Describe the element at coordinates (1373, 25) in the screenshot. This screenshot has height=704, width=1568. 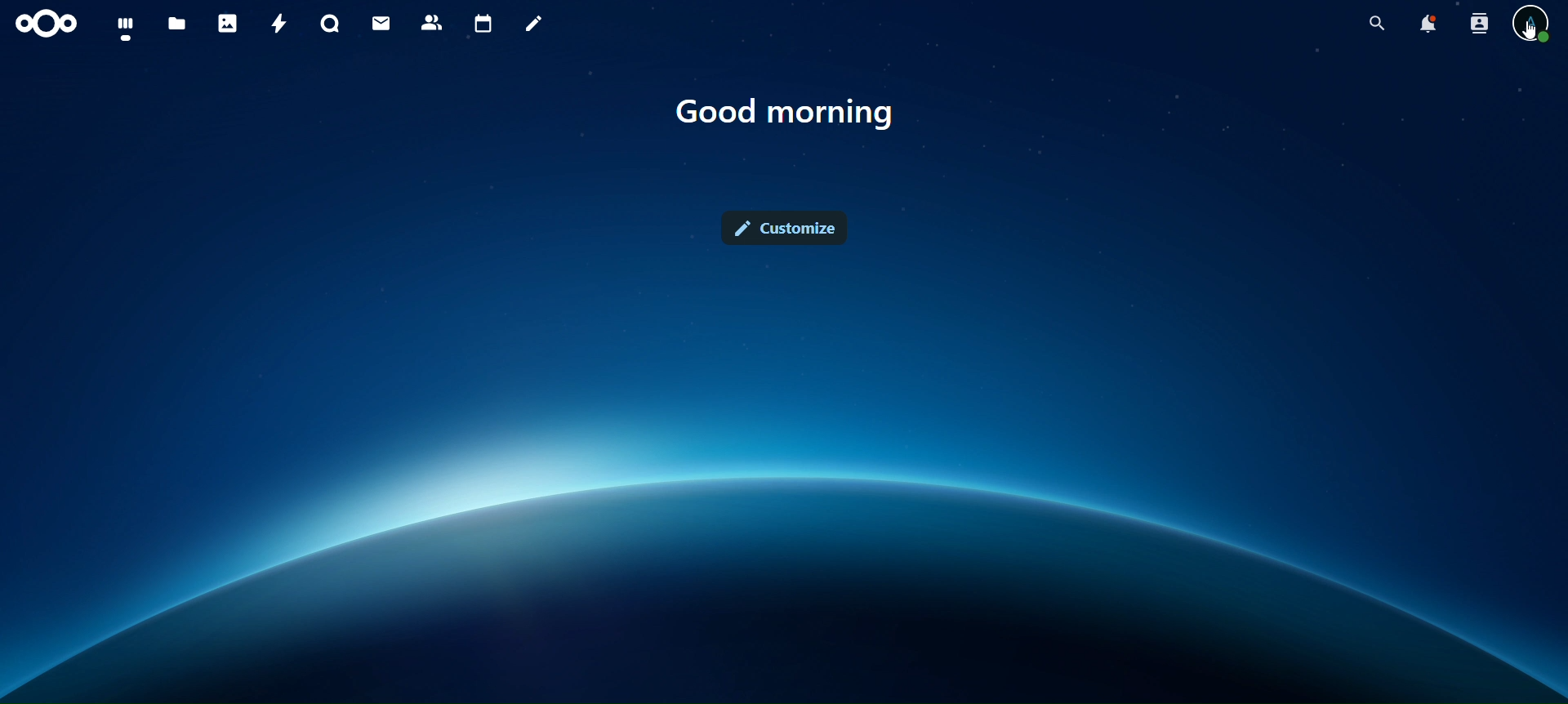
I see `search` at that location.